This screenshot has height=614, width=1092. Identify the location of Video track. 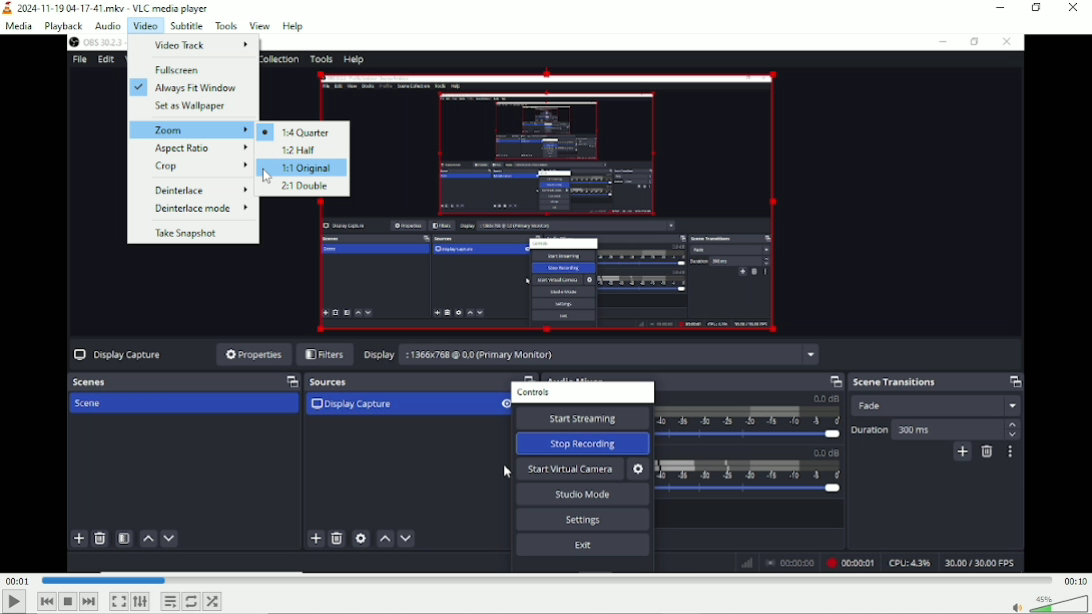
(203, 44).